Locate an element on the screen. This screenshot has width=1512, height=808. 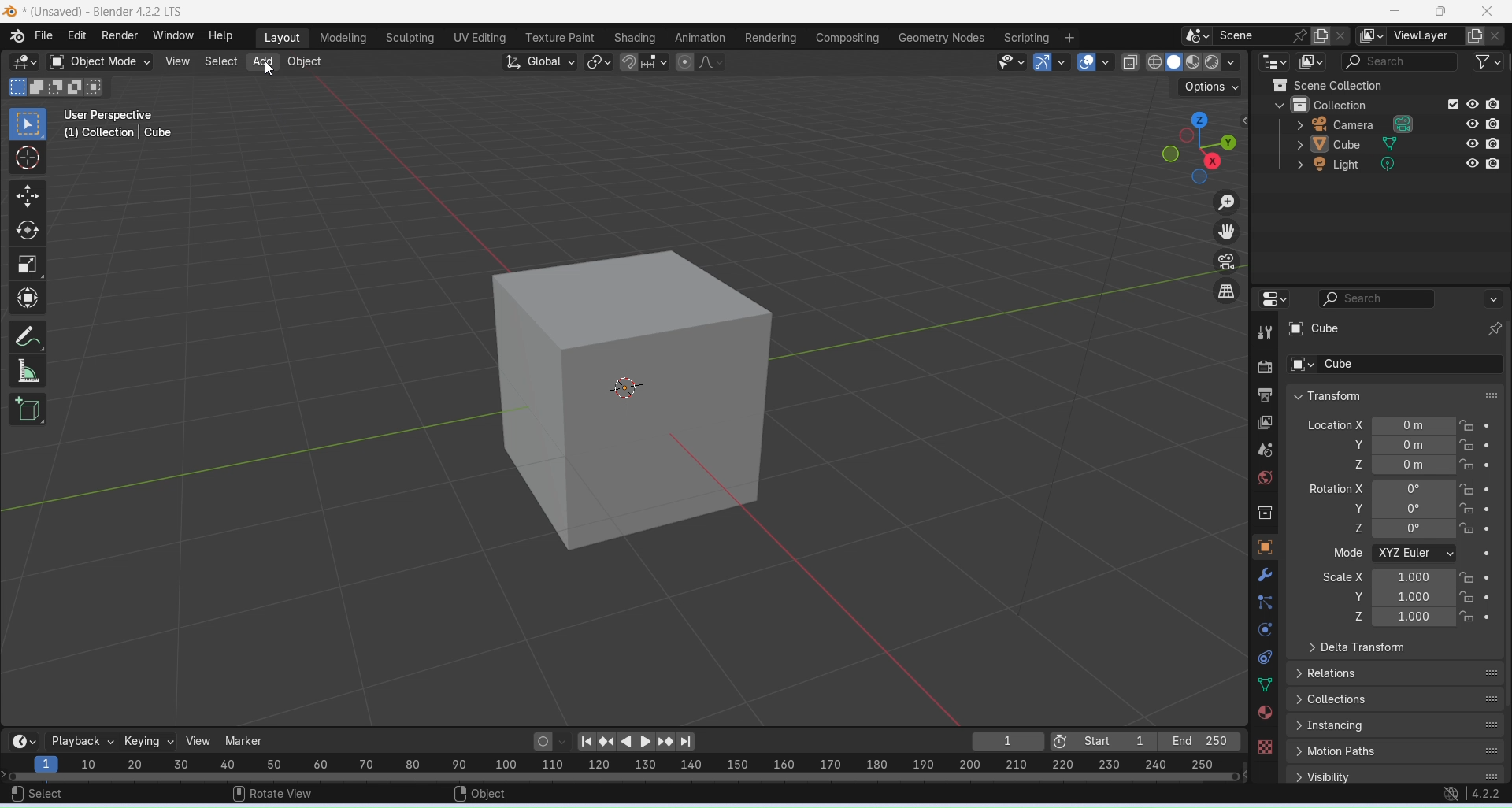
4.2.2 is located at coordinates (1487, 794).